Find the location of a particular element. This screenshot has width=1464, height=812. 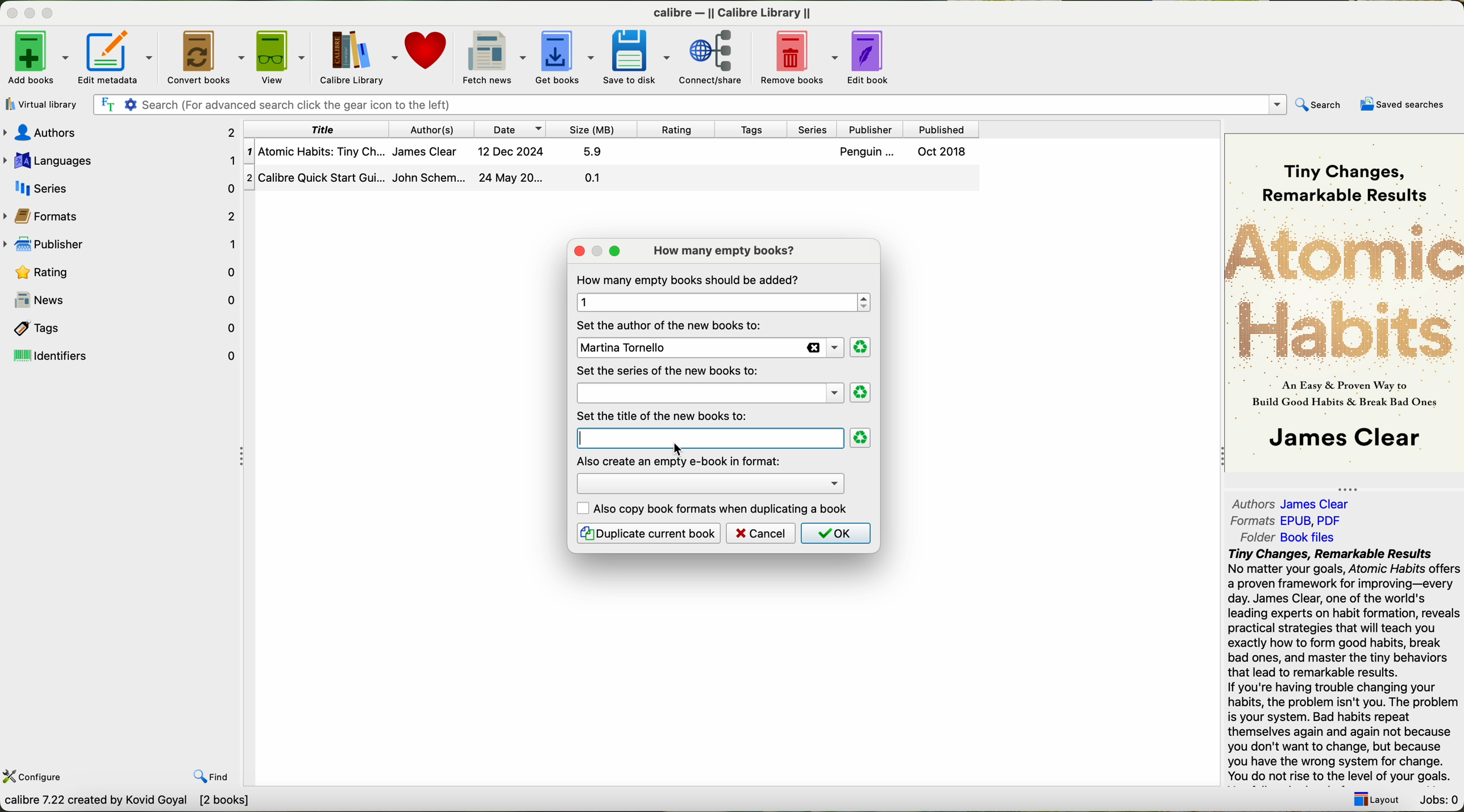

authors is located at coordinates (434, 128).